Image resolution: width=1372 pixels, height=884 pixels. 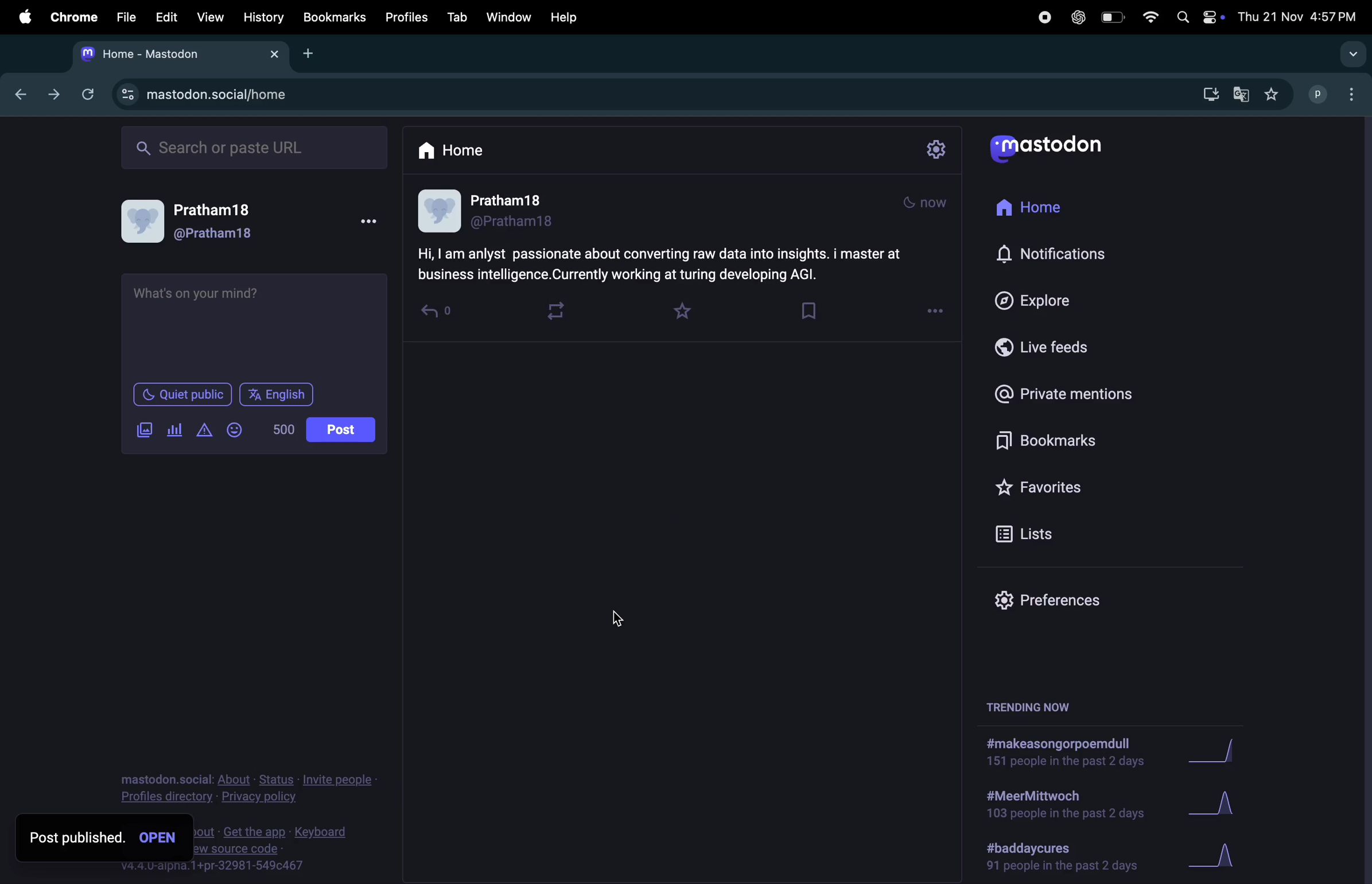 What do you see at coordinates (341, 431) in the screenshot?
I see `post` at bounding box center [341, 431].